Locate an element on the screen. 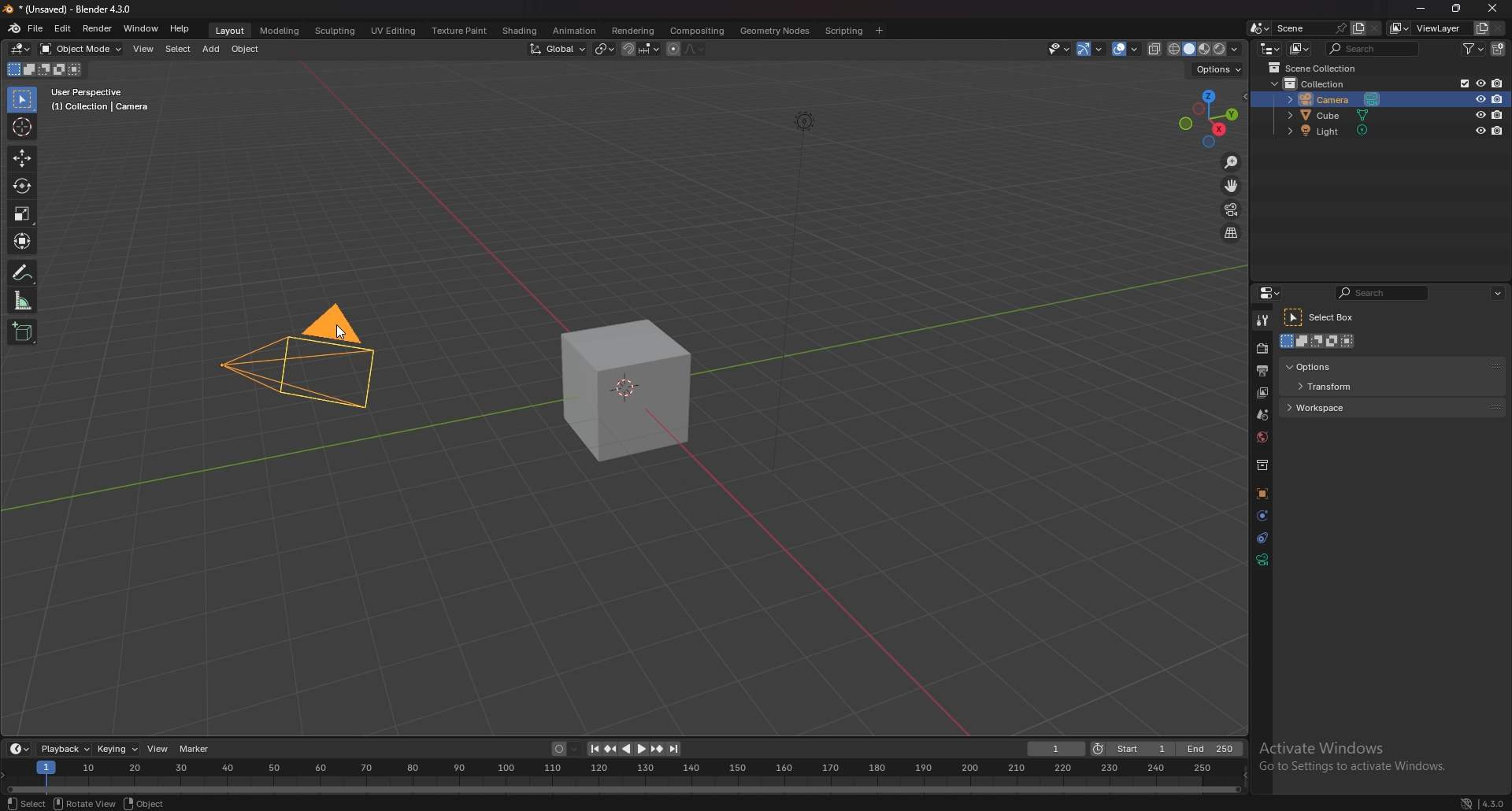 The width and height of the screenshot is (1512, 811). world is located at coordinates (1263, 438).